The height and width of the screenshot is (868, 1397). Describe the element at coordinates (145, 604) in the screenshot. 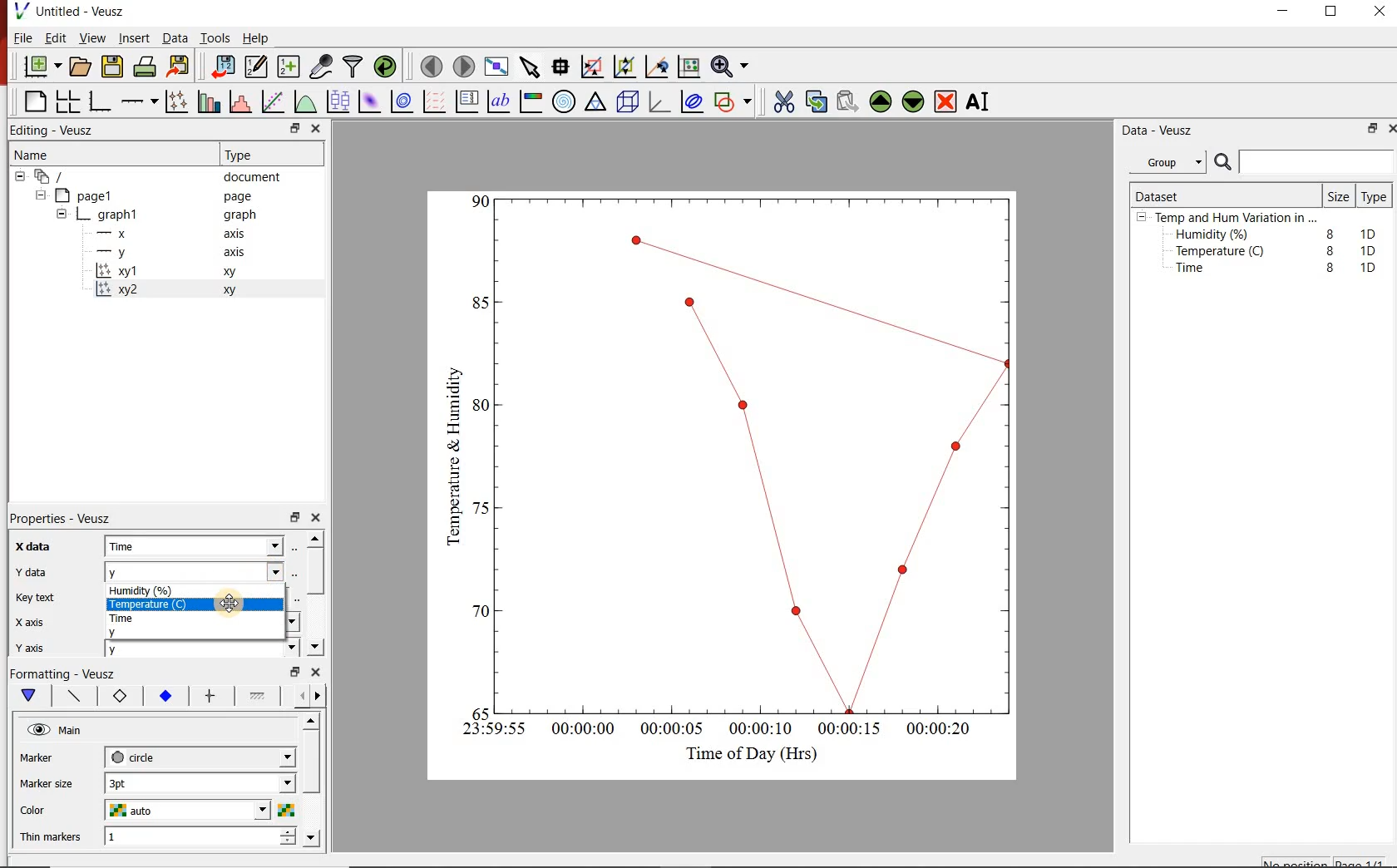

I see `Temperature (C)` at that location.